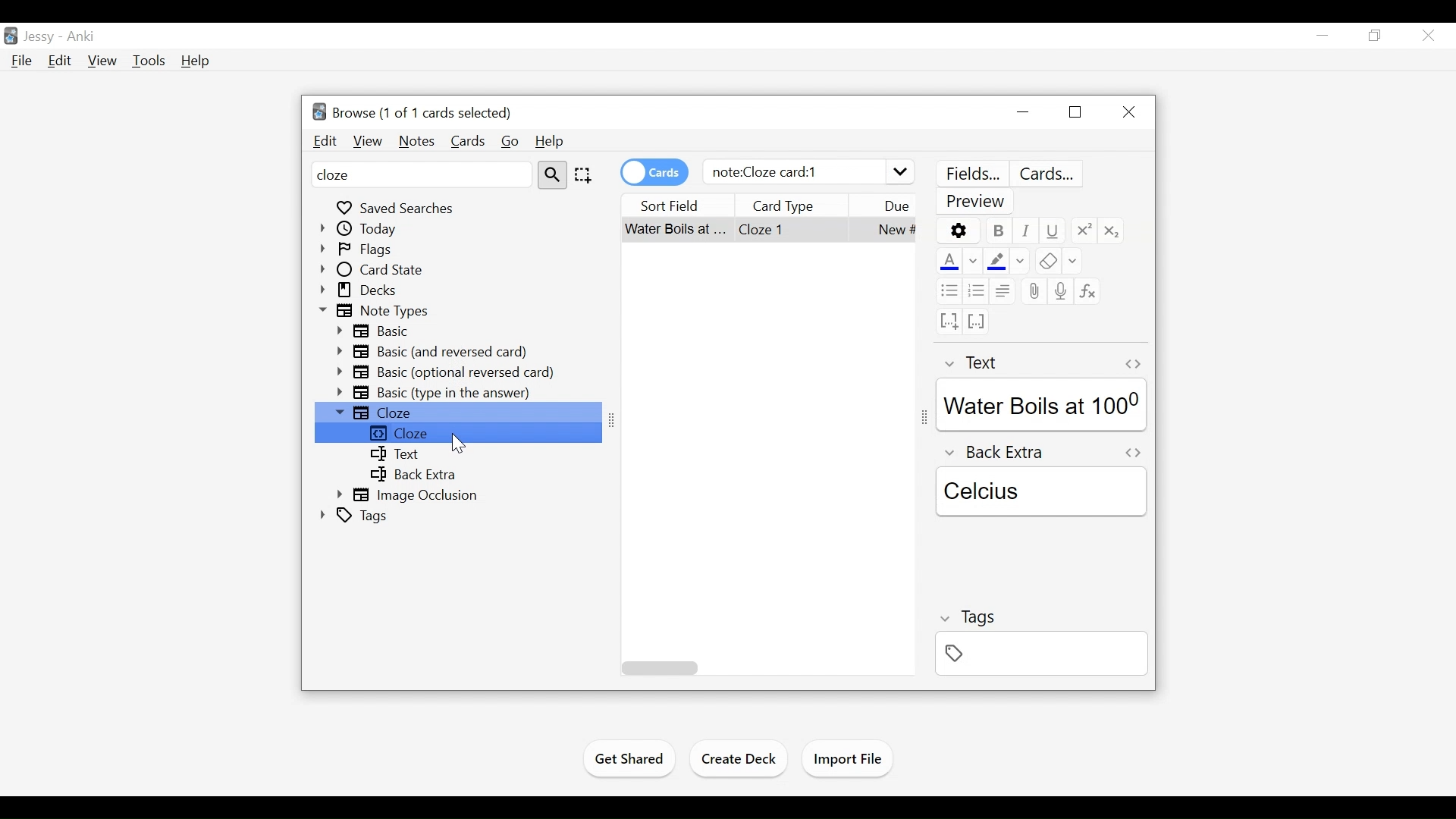 The width and height of the screenshot is (1456, 819). I want to click on Customize Field, so click(975, 174).